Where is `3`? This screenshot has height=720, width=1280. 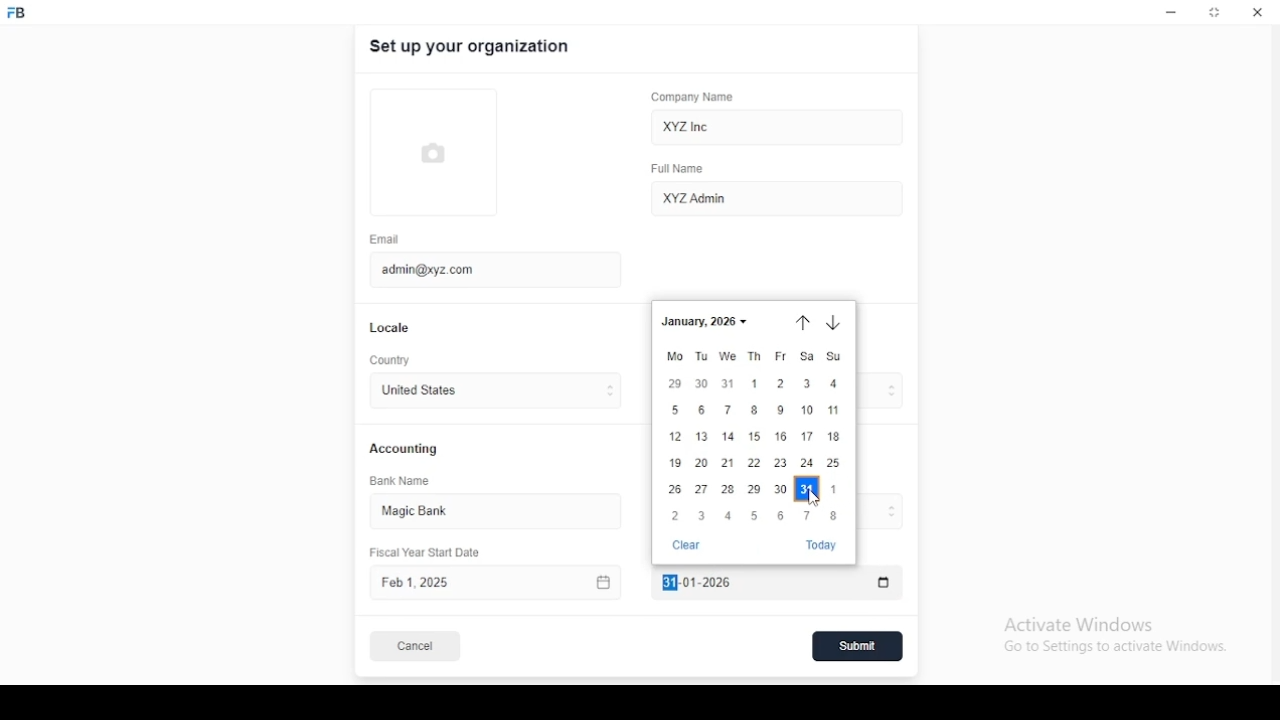 3 is located at coordinates (704, 437).